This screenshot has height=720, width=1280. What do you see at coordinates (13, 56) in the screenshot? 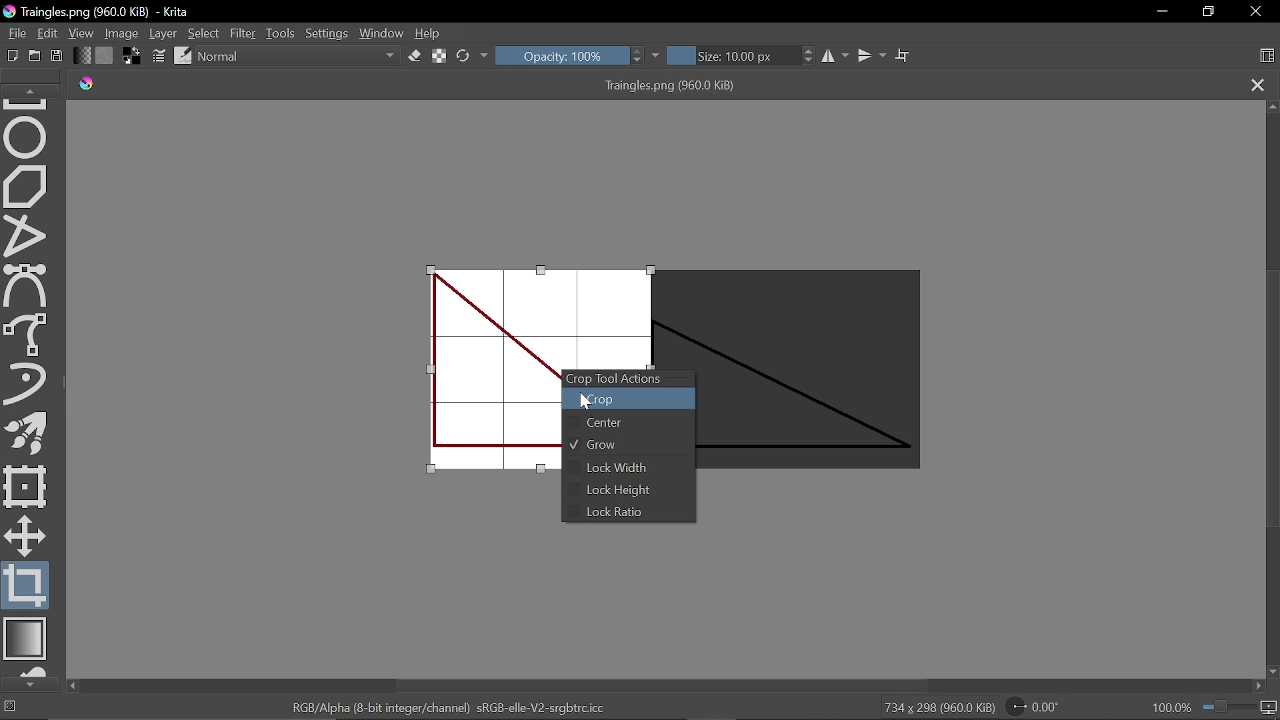
I see `Create new document` at bounding box center [13, 56].